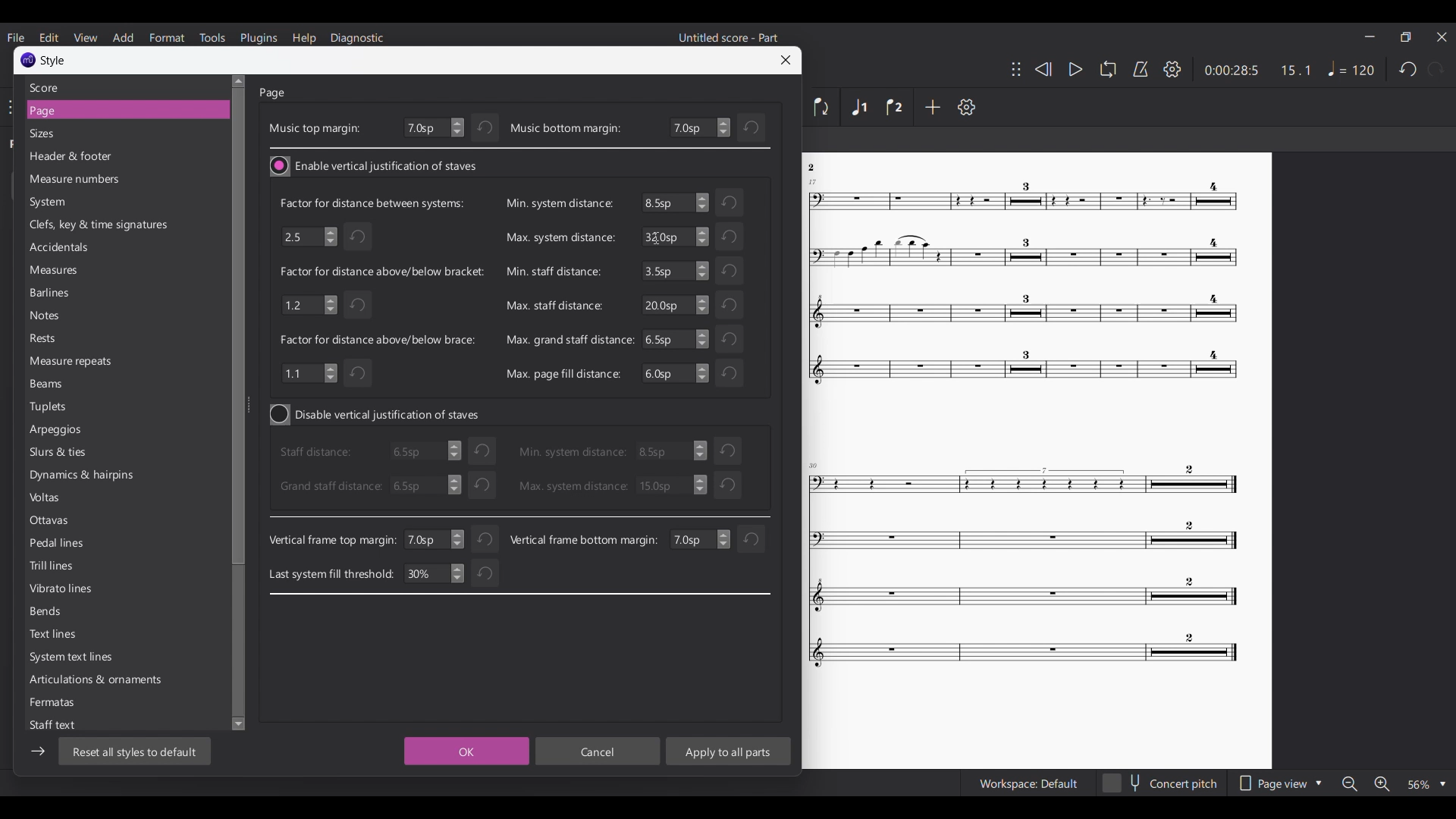  I want to click on 6.5sp, so click(676, 237).